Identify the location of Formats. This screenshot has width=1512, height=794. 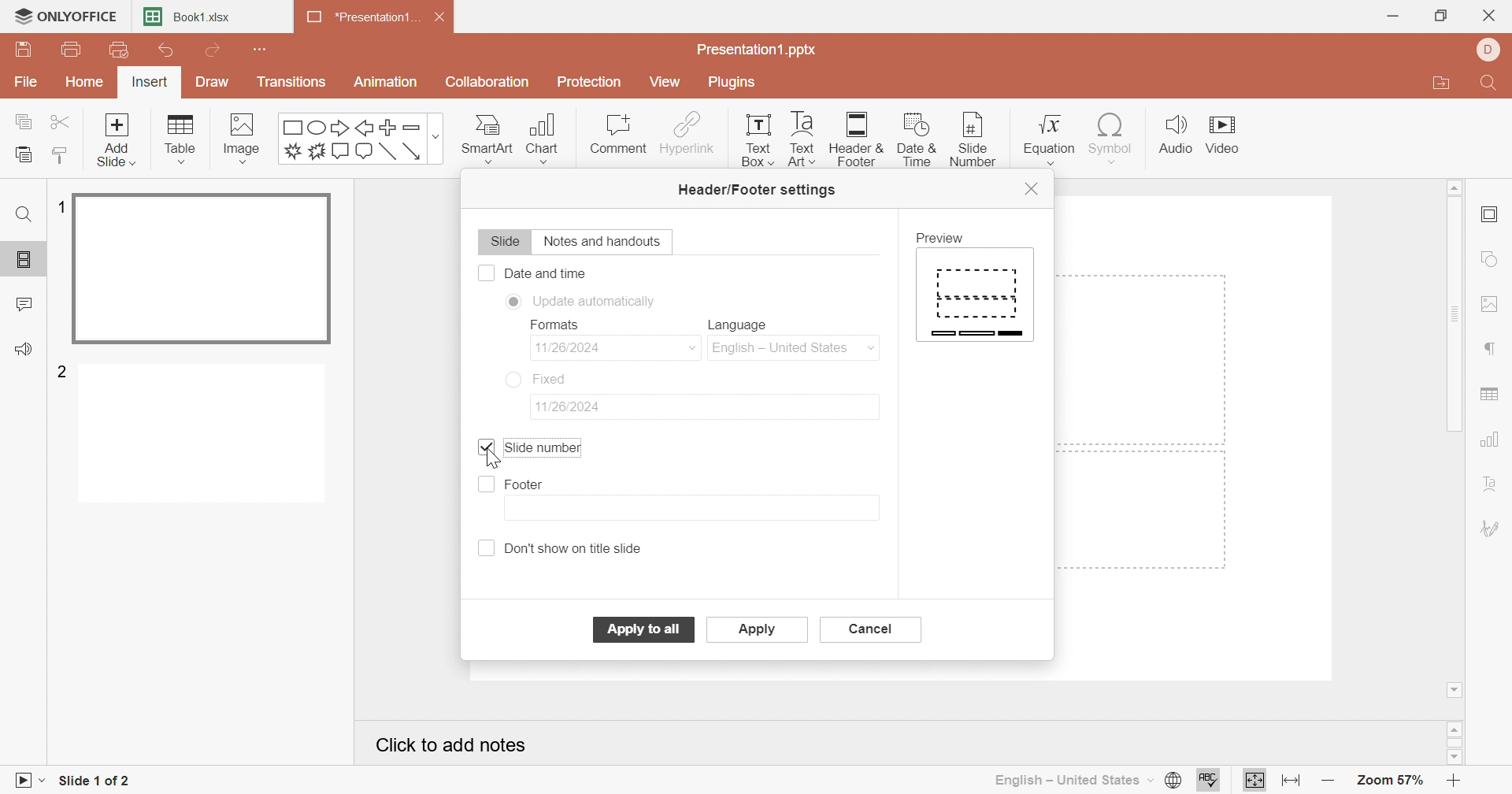
(553, 325).